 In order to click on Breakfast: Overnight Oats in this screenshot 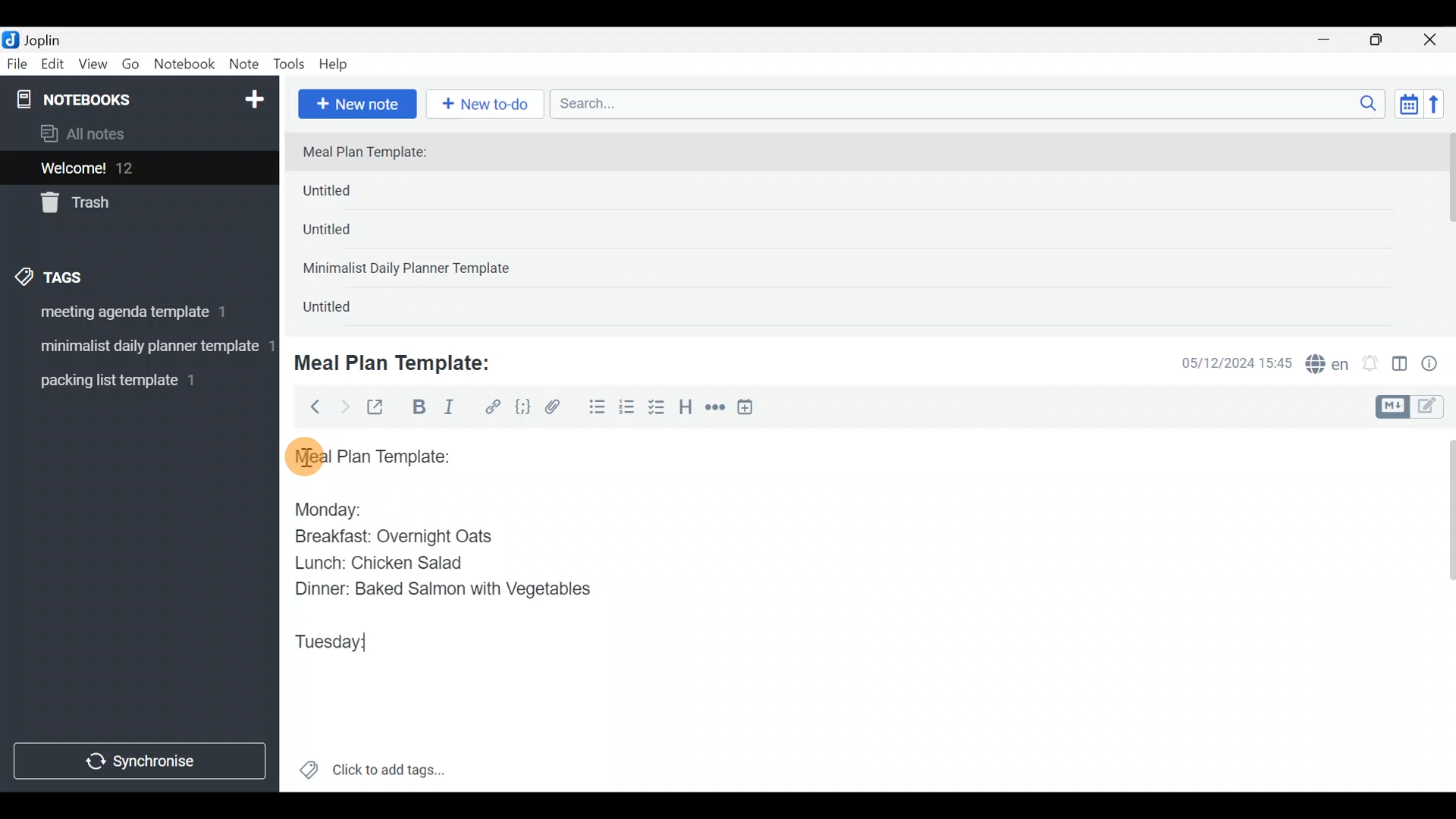, I will do `click(391, 538)`.